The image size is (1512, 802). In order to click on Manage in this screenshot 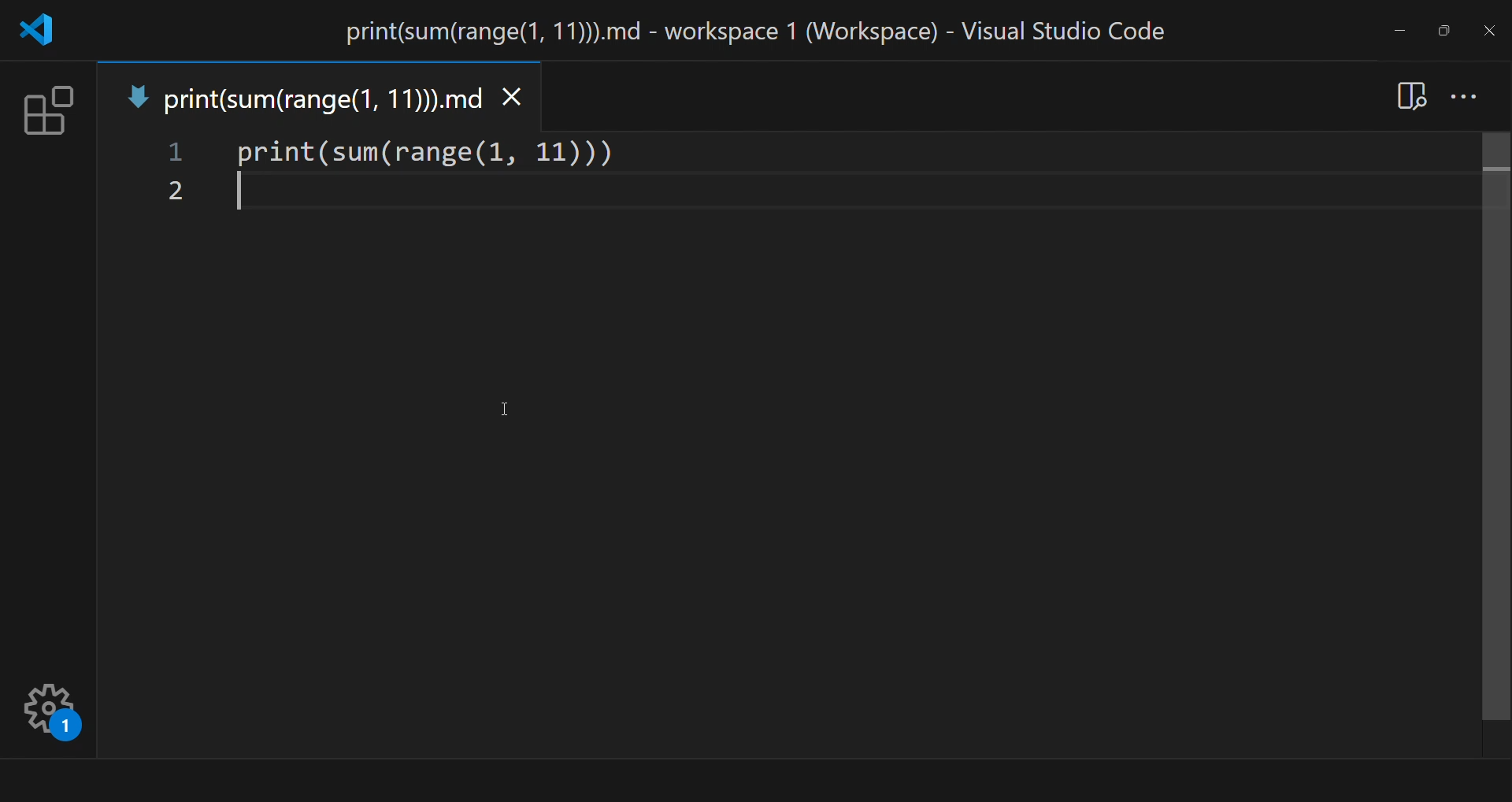, I will do `click(51, 713)`.